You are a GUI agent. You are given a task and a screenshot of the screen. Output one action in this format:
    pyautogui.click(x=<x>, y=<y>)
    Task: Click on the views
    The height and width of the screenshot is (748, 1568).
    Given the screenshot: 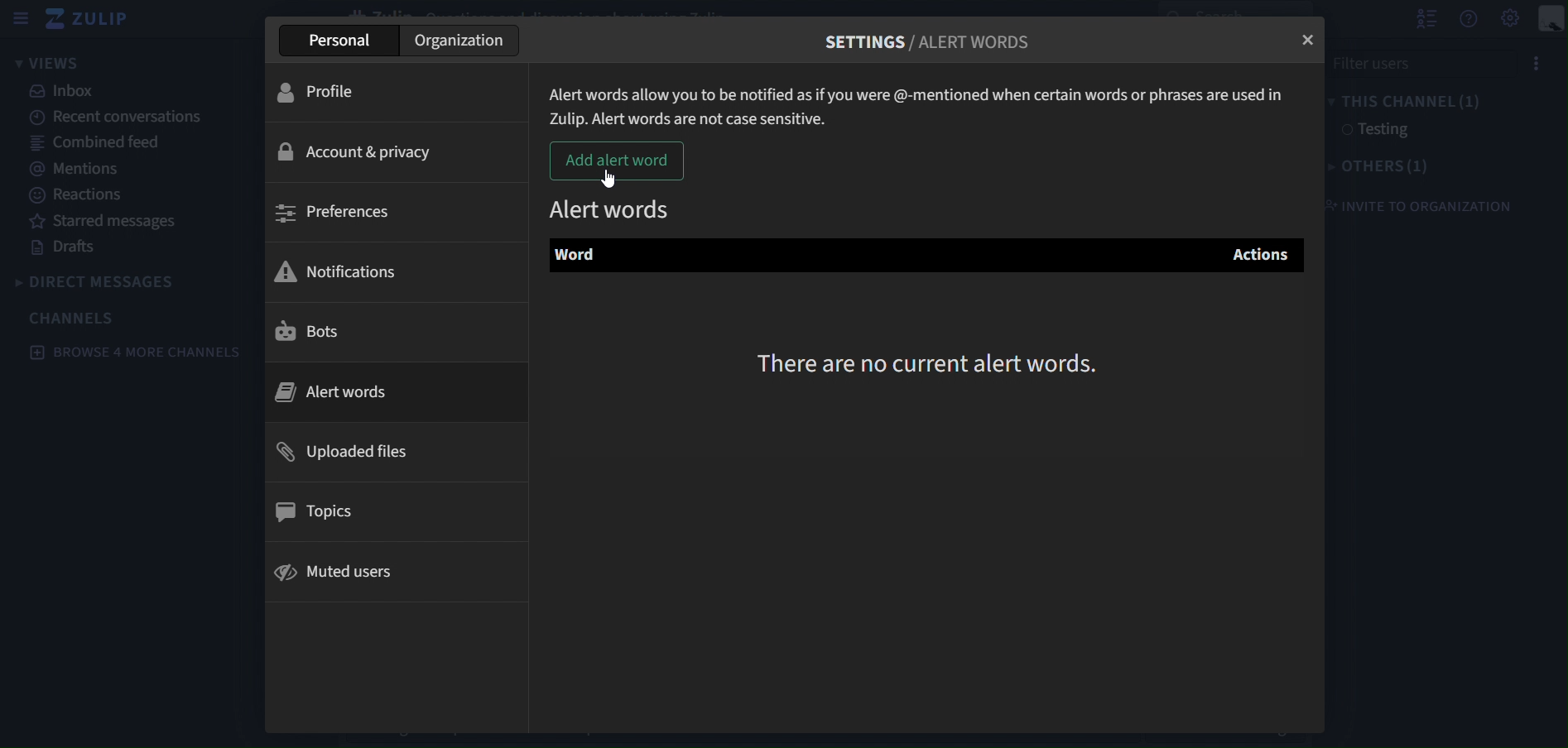 What is the action you would take?
    pyautogui.click(x=58, y=63)
    